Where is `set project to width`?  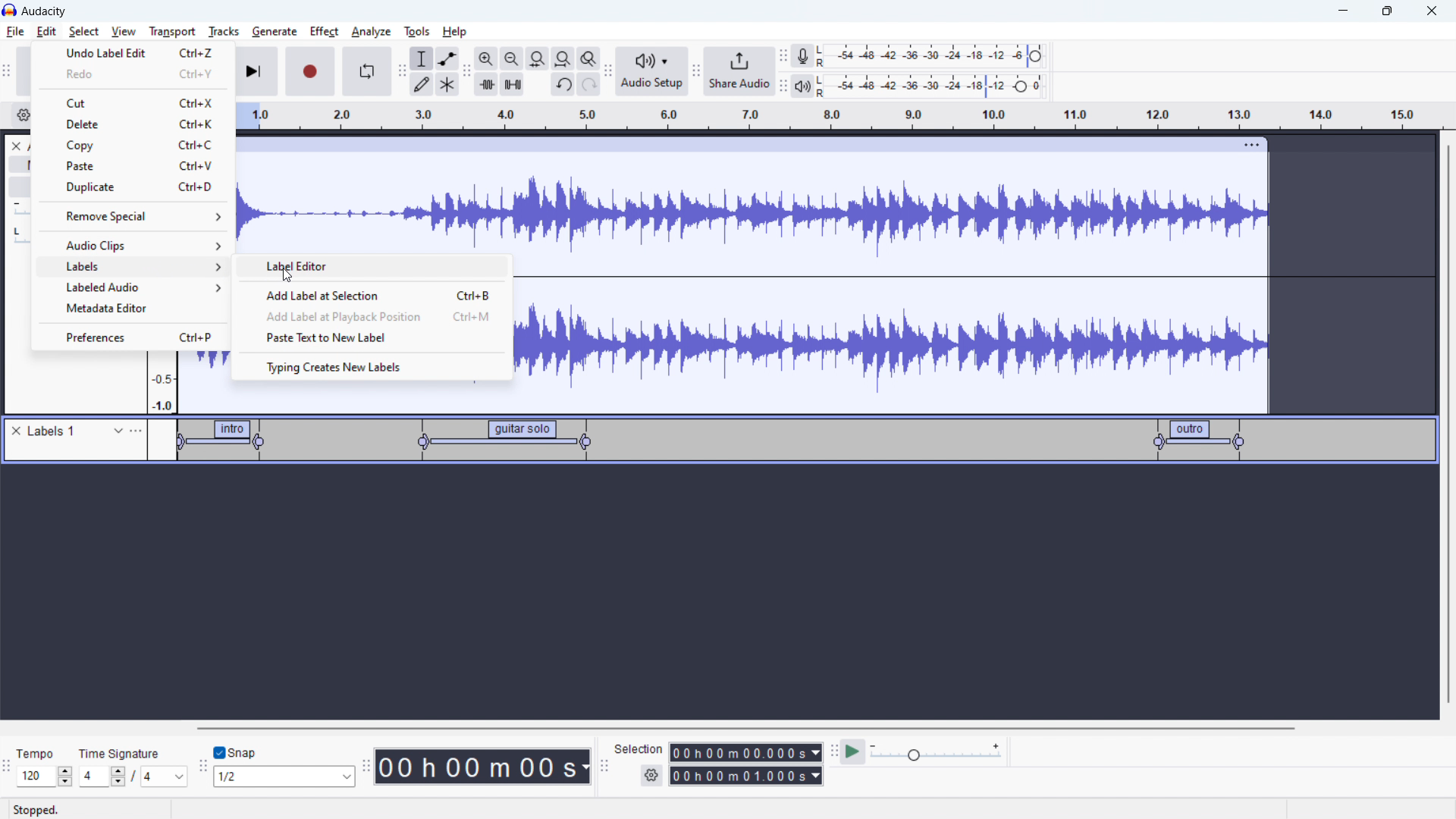 set project to width is located at coordinates (563, 58).